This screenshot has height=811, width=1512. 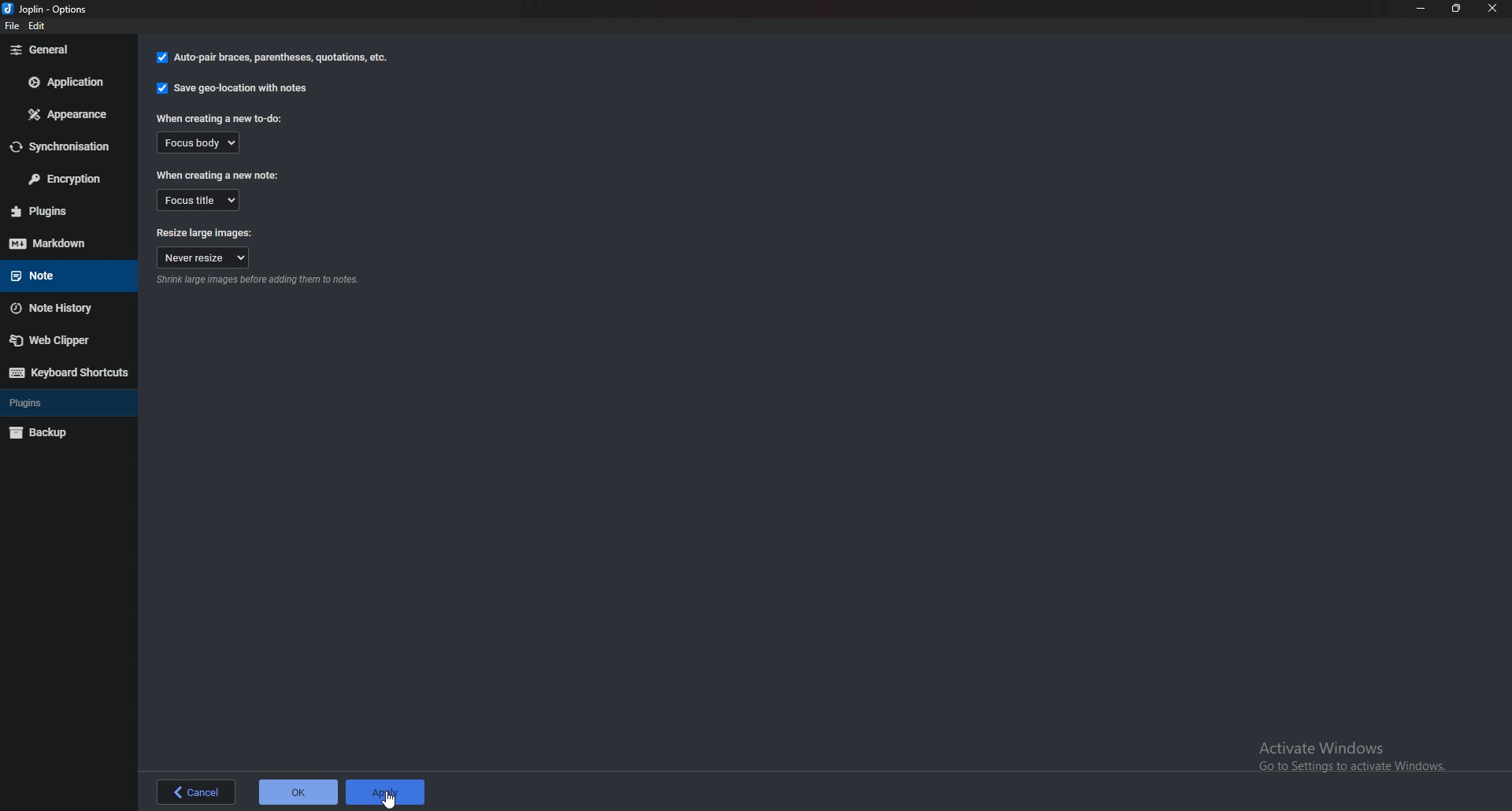 What do you see at coordinates (232, 91) in the screenshot?
I see `save geo location with notes` at bounding box center [232, 91].